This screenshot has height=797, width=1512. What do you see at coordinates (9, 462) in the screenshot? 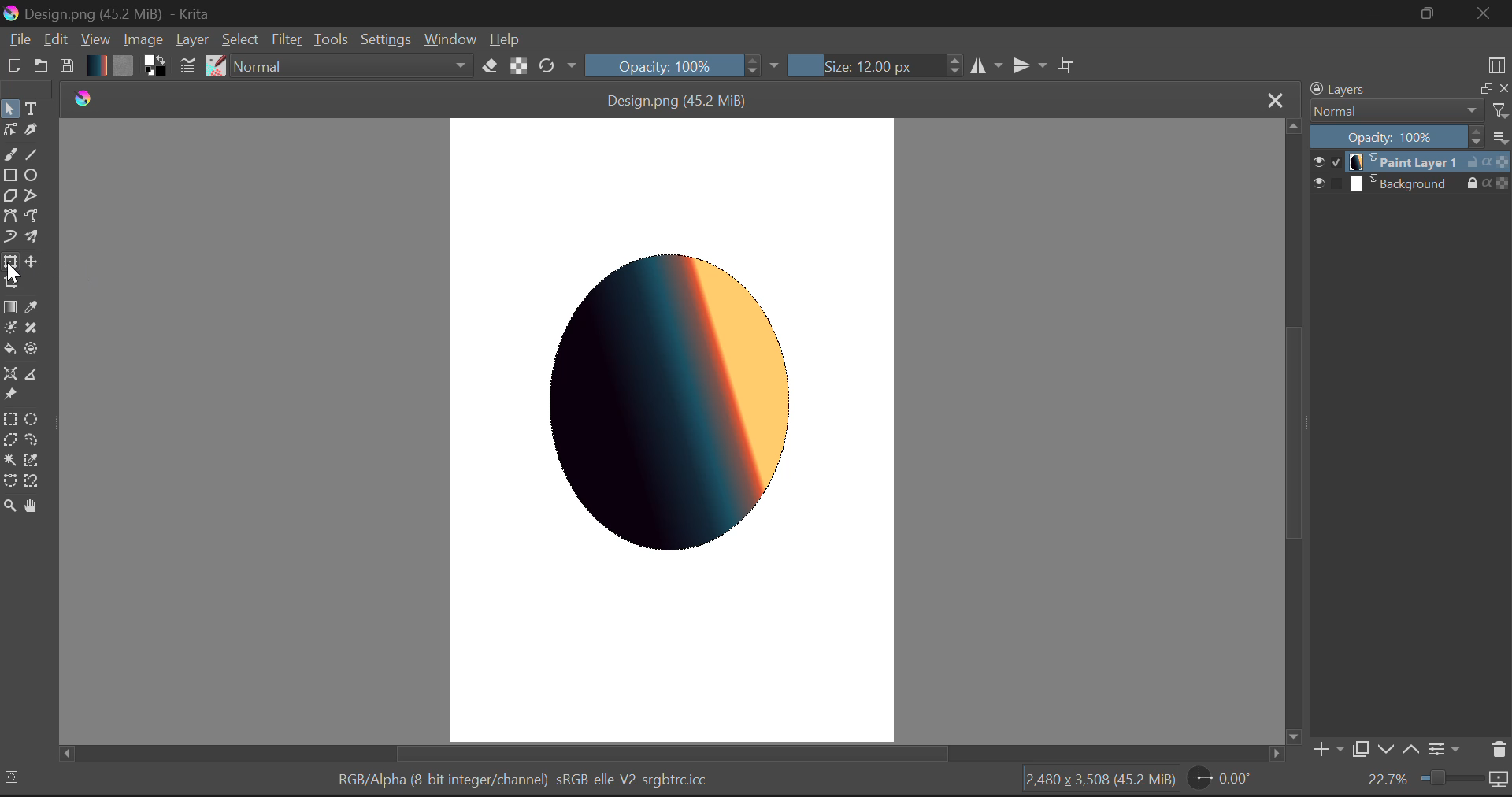
I see `Continuous Selection` at bounding box center [9, 462].